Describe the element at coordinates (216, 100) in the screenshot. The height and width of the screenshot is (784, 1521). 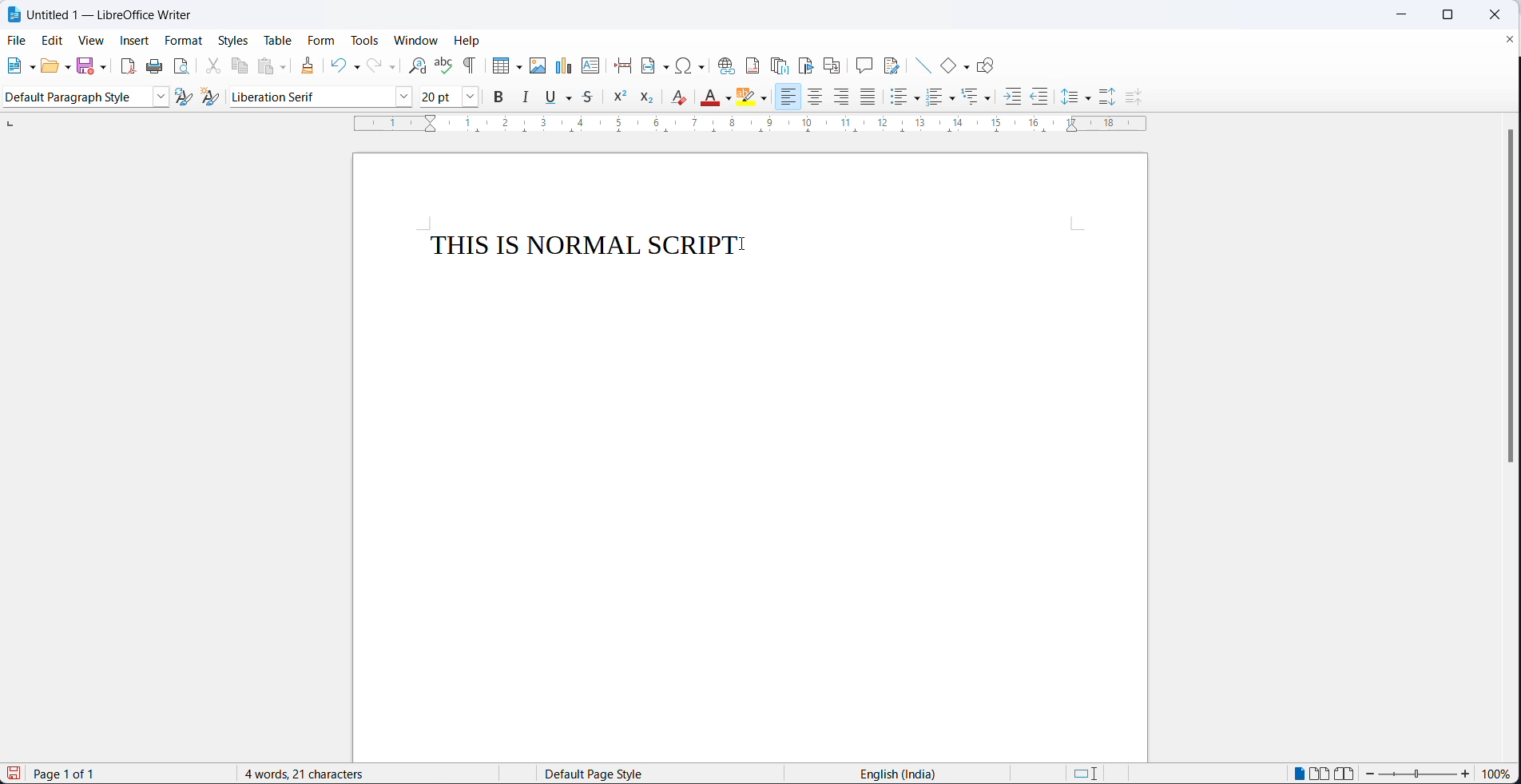
I see `create new style from selection` at that location.